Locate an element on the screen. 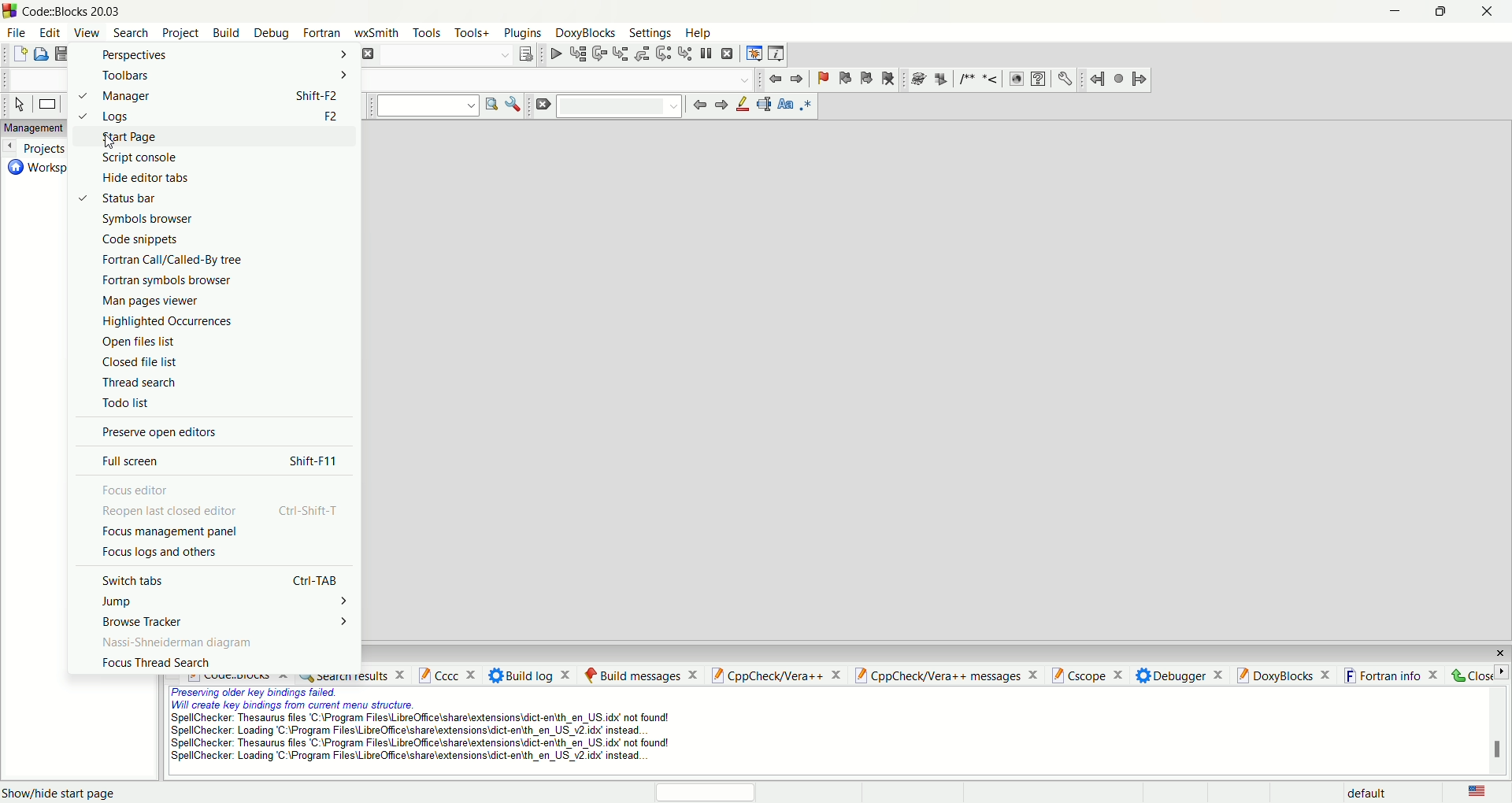 This screenshot has height=803, width=1512. start page is located at coordinates (215, 139).